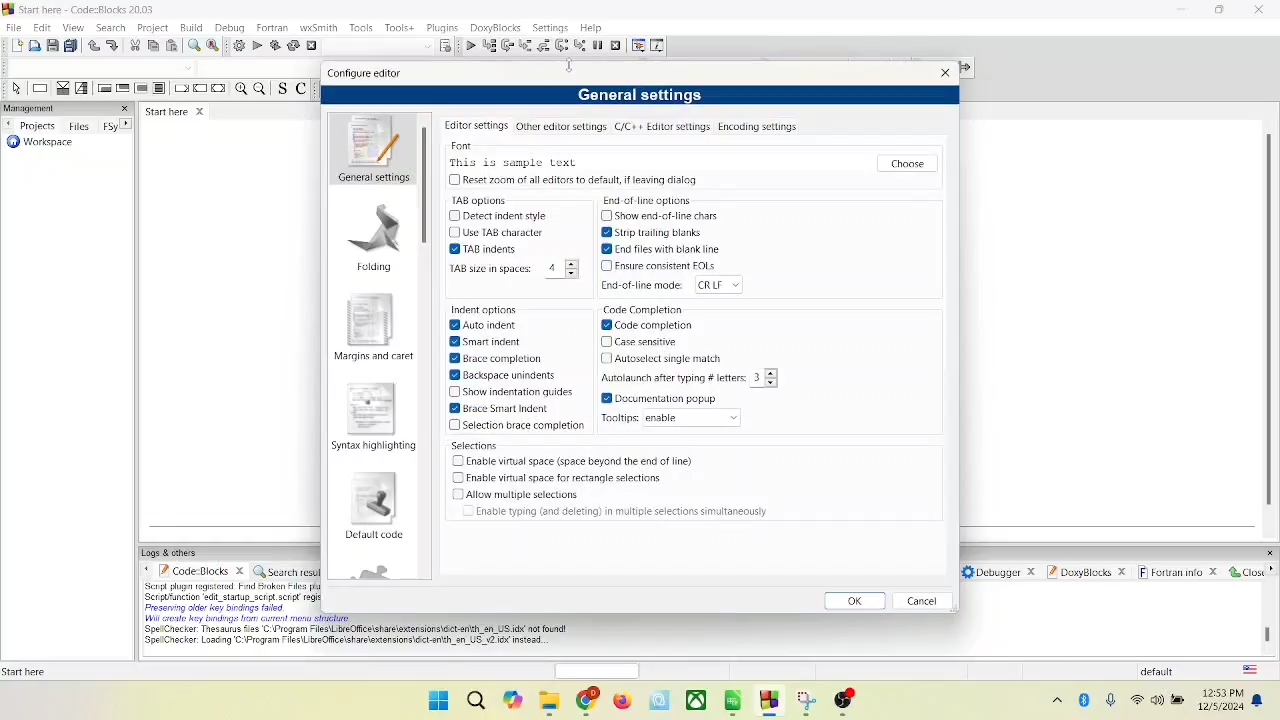 Image resolution: width=1280 pixels, height=720 pixels. I want to click on search, so click(477, 701).